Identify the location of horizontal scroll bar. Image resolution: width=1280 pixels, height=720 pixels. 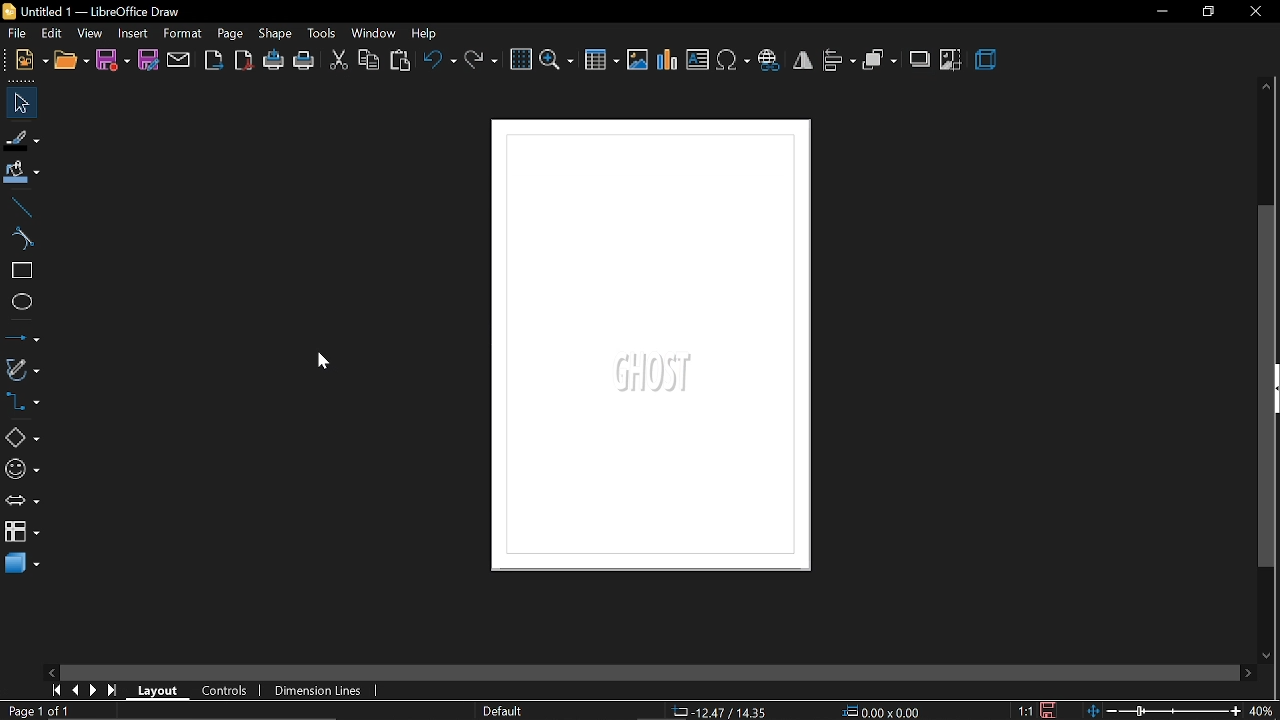
(648, 673).